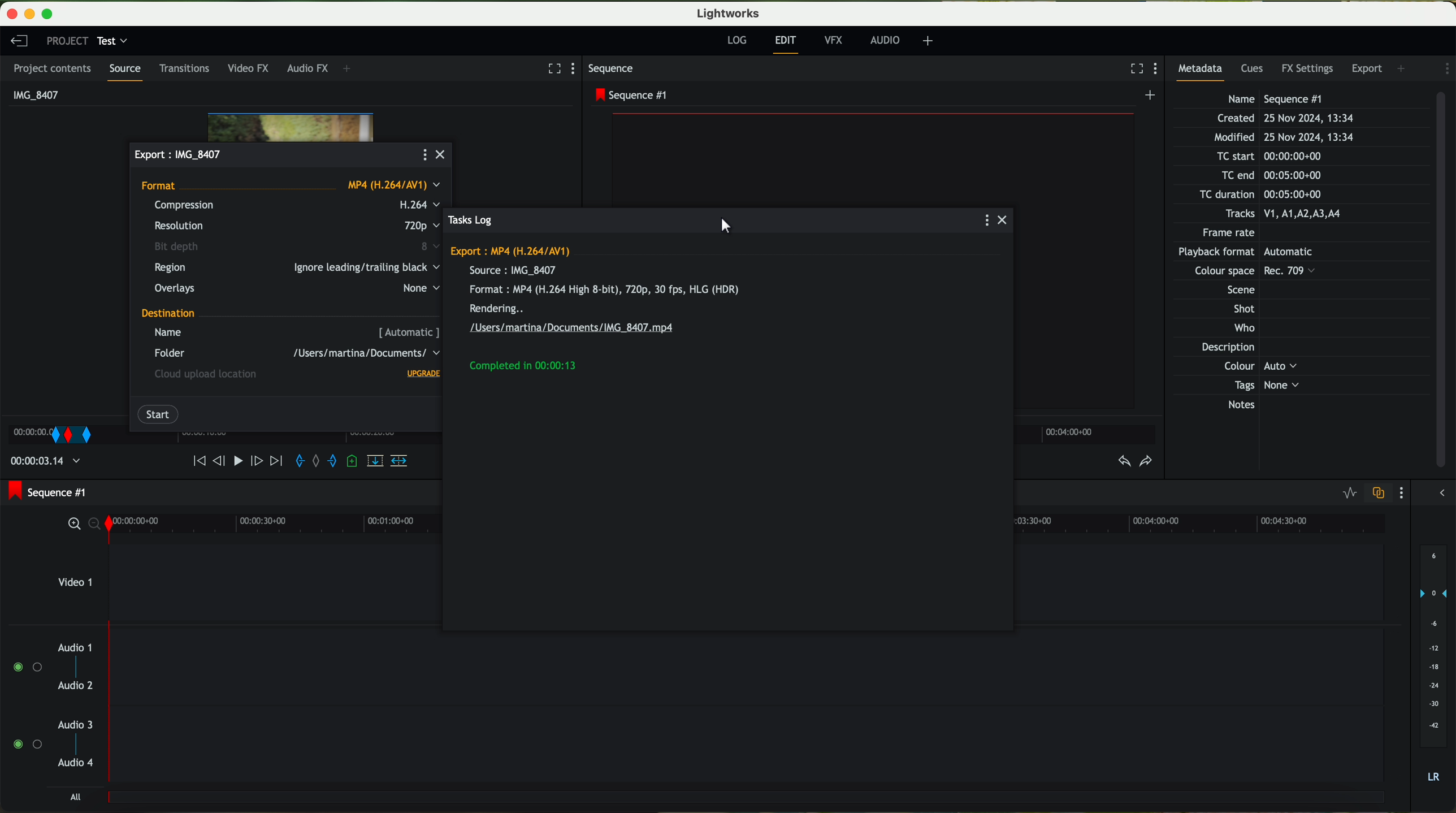 This screenshot has width=1456, height=813. Describe the element at coordinates (115, 434) in the screenshot. I see `transition` at that location.